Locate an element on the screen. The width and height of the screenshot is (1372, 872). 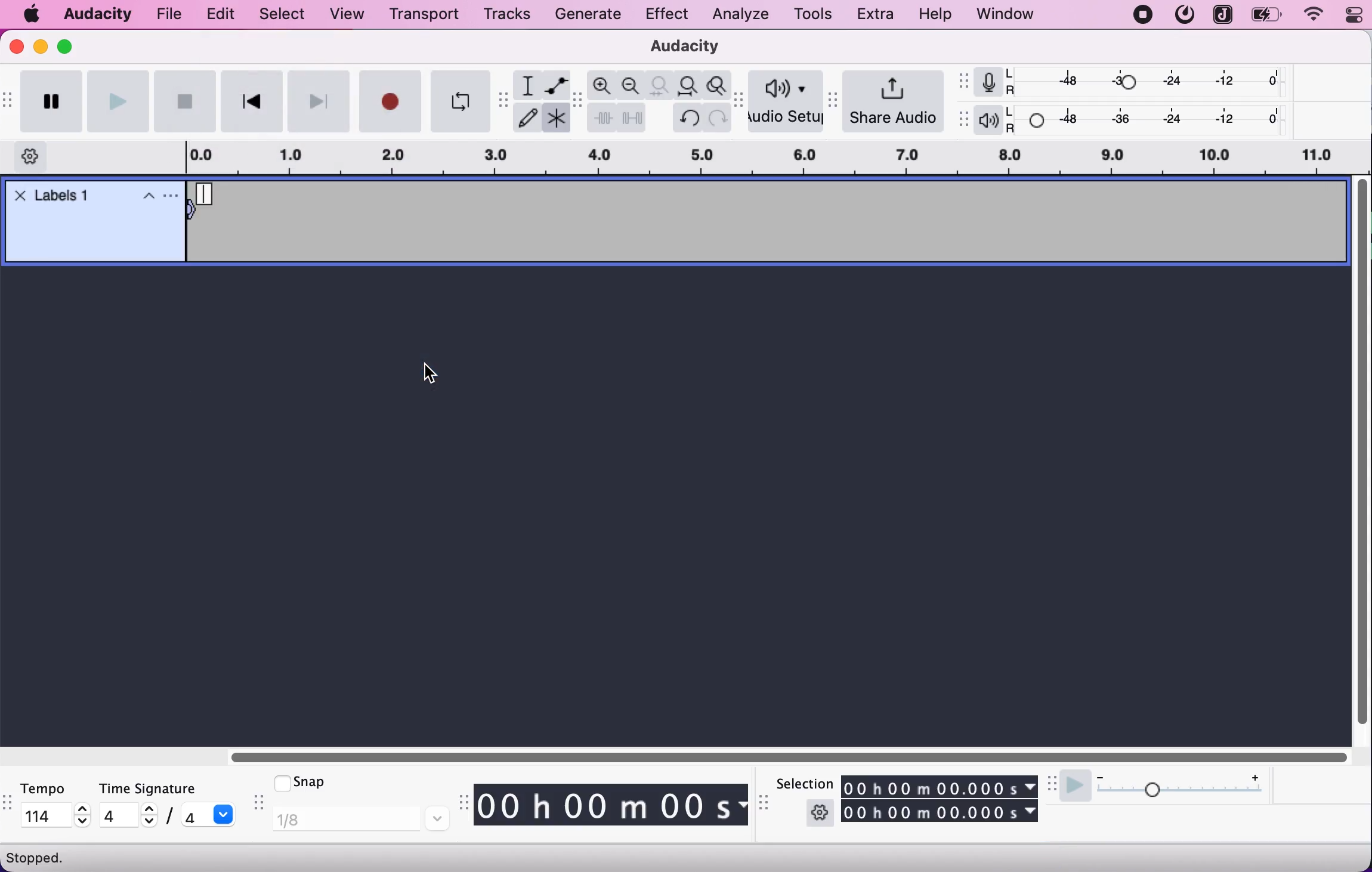
114 is located at coordinates (45, 815).